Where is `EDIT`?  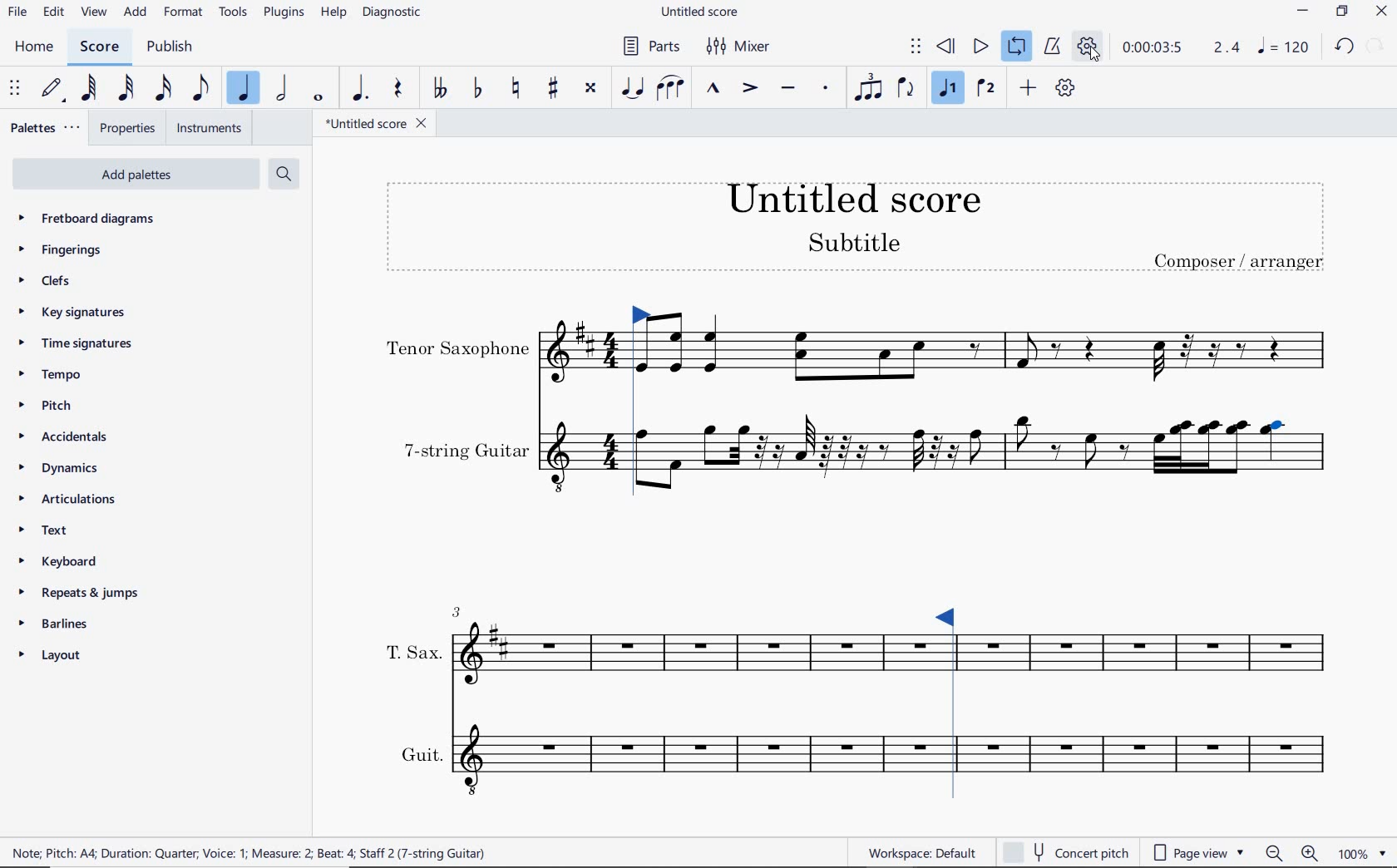
EDIT is located at coordinates (53, 13).